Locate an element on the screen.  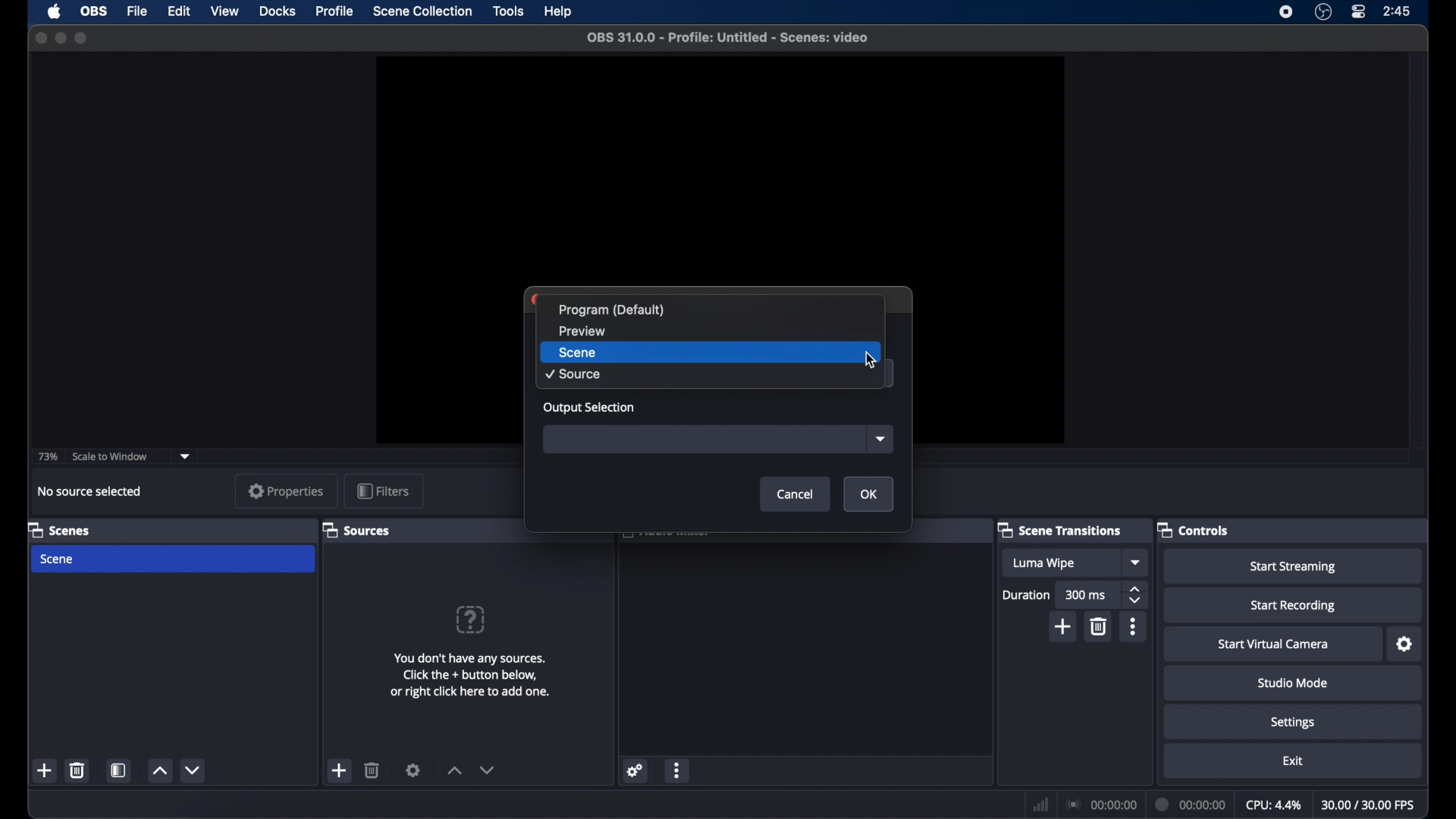
delete is located at coordinates (372, 769).